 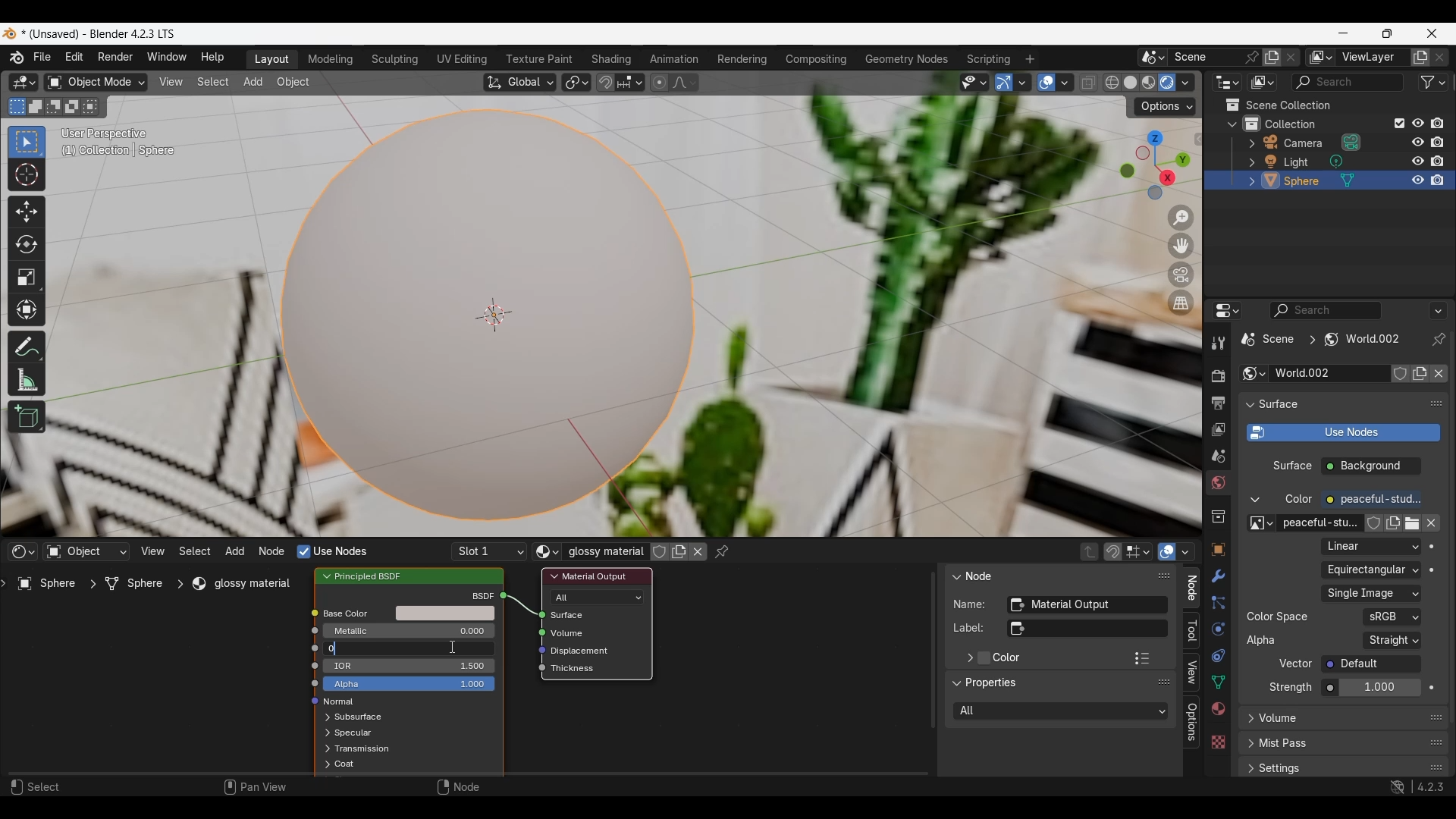 I want to click on Select box, so click(x=27, y=143).